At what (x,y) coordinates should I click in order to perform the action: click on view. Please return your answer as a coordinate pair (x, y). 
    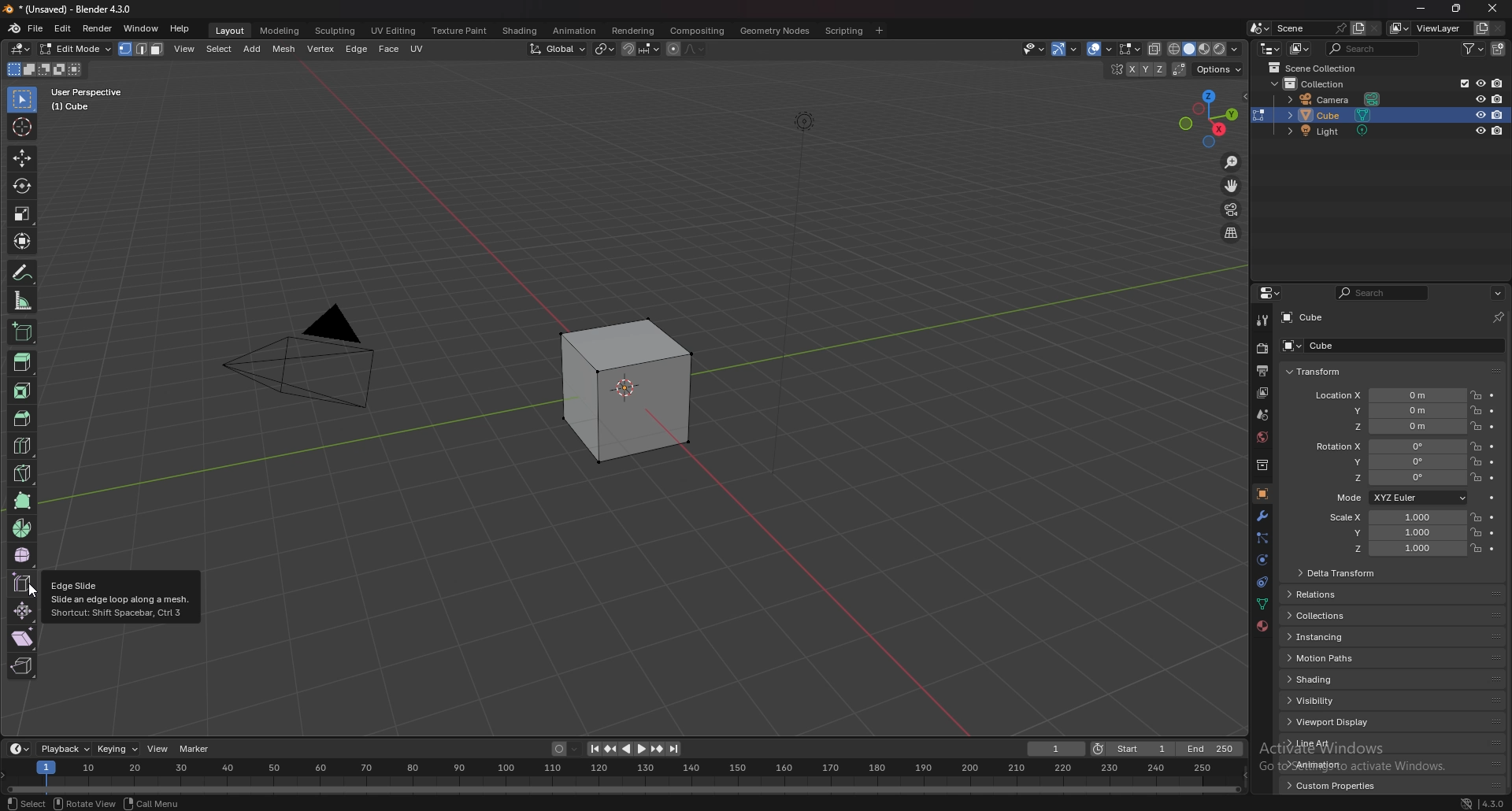
    Looking at the image, I should click on (157, 747).